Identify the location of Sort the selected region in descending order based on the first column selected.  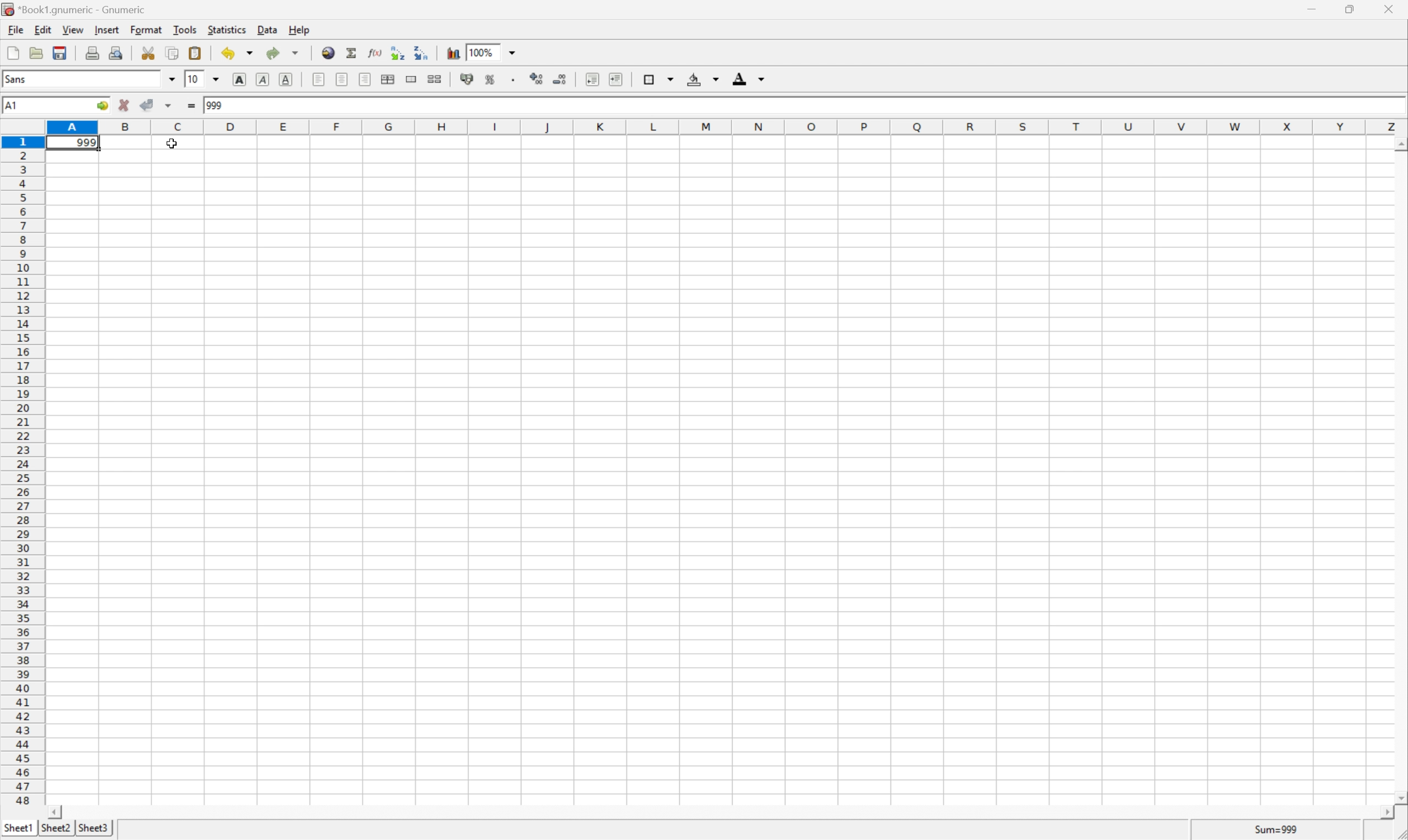
(420, 53).